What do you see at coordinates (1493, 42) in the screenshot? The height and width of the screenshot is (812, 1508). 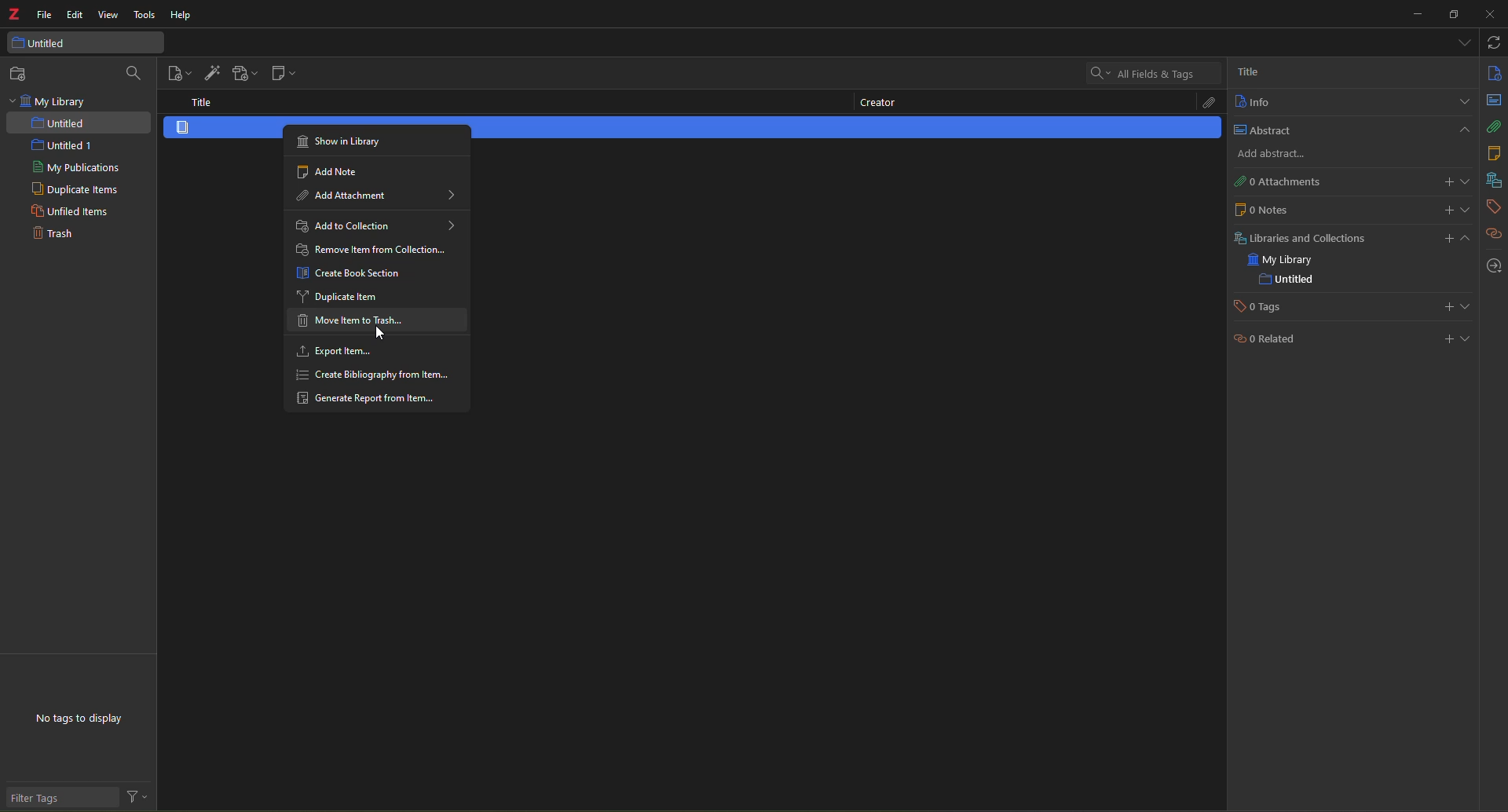 I see `syc` at bounding box center [1493, 42].